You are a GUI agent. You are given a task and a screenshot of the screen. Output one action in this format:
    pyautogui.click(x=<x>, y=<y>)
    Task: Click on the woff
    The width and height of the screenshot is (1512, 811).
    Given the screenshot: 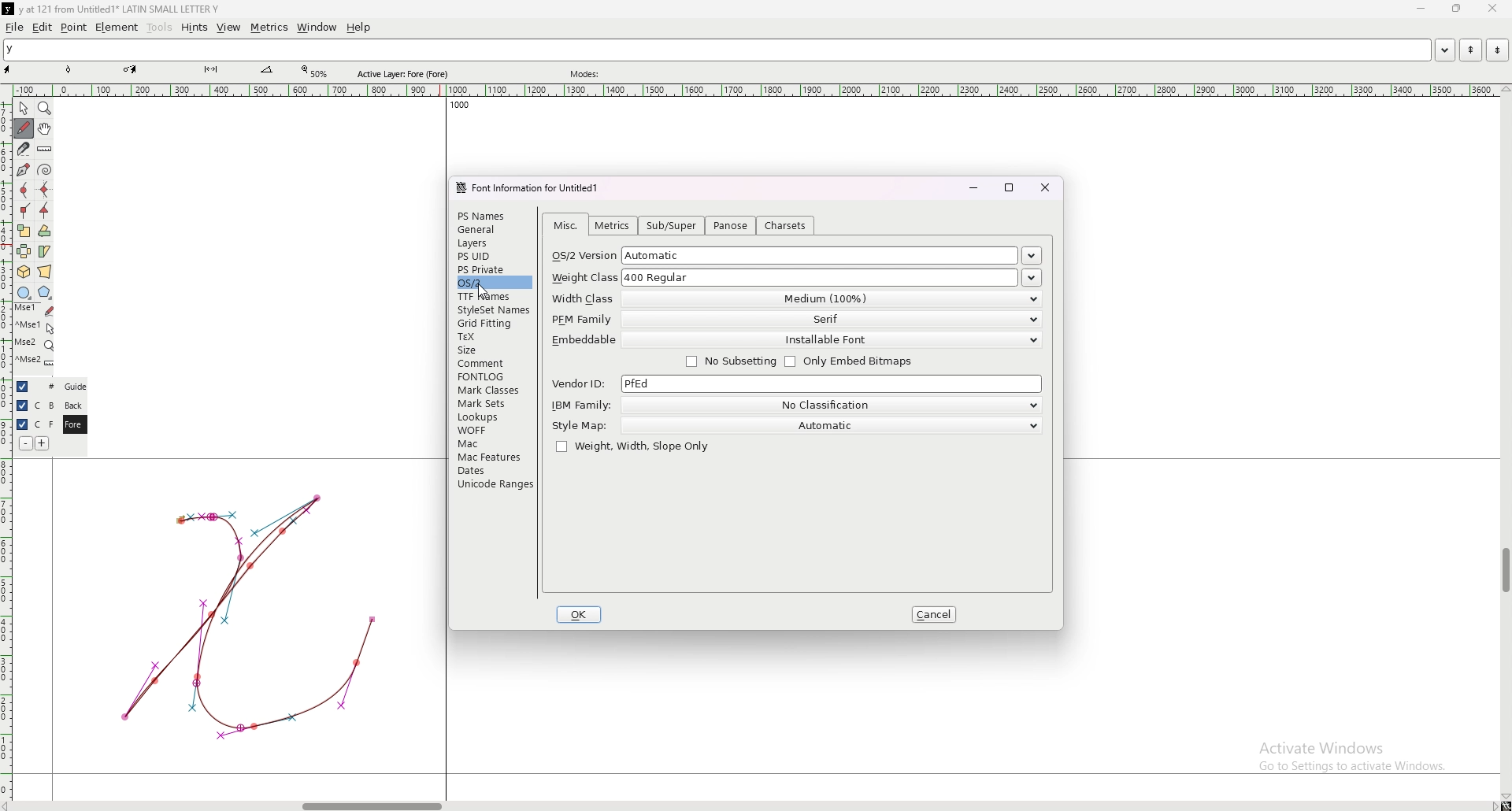 What is the action you would take?
    pyautogui.click(x=492, y=430)
    